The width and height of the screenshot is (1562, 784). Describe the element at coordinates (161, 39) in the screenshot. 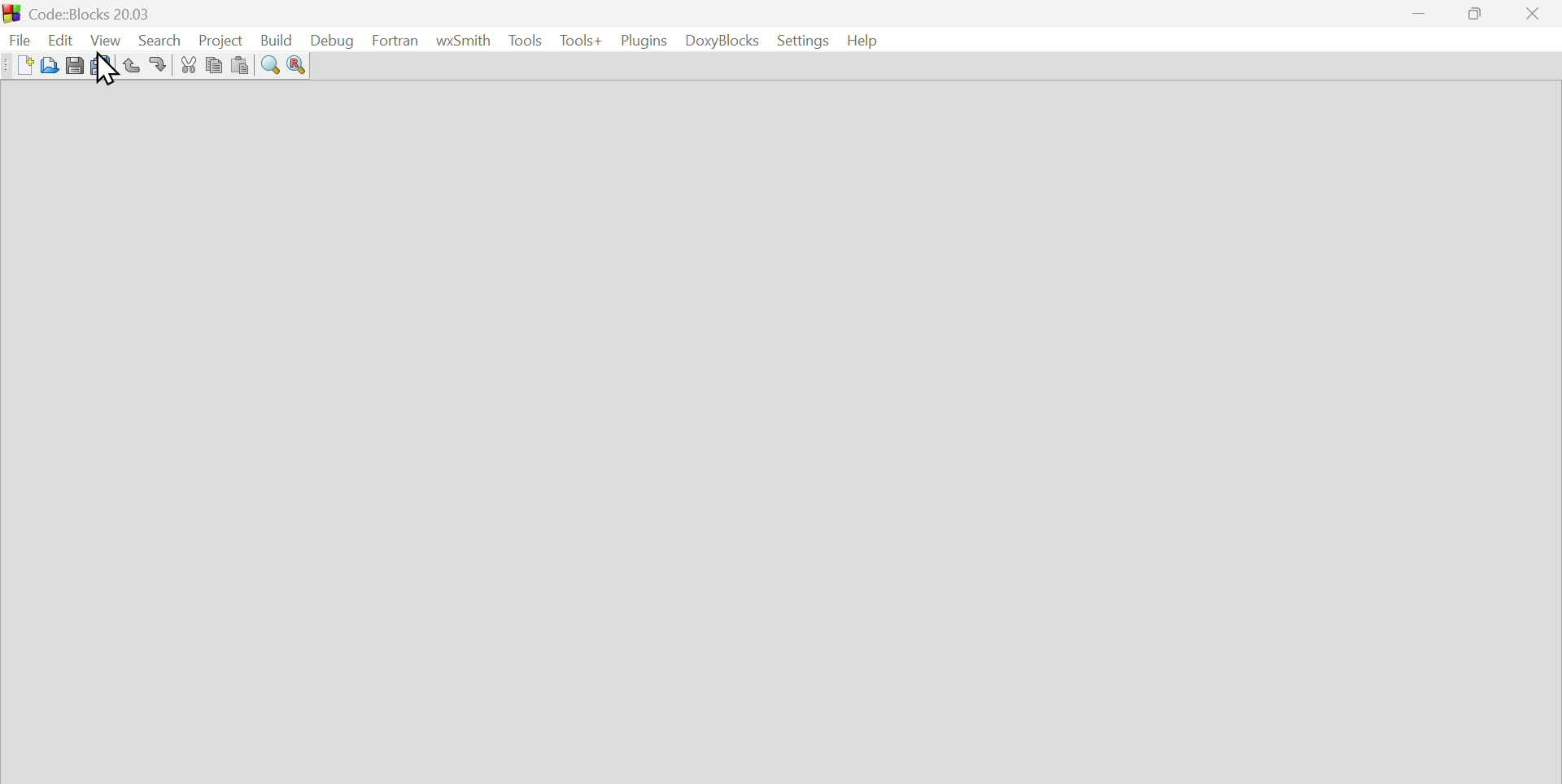

I see `Search` at that location.